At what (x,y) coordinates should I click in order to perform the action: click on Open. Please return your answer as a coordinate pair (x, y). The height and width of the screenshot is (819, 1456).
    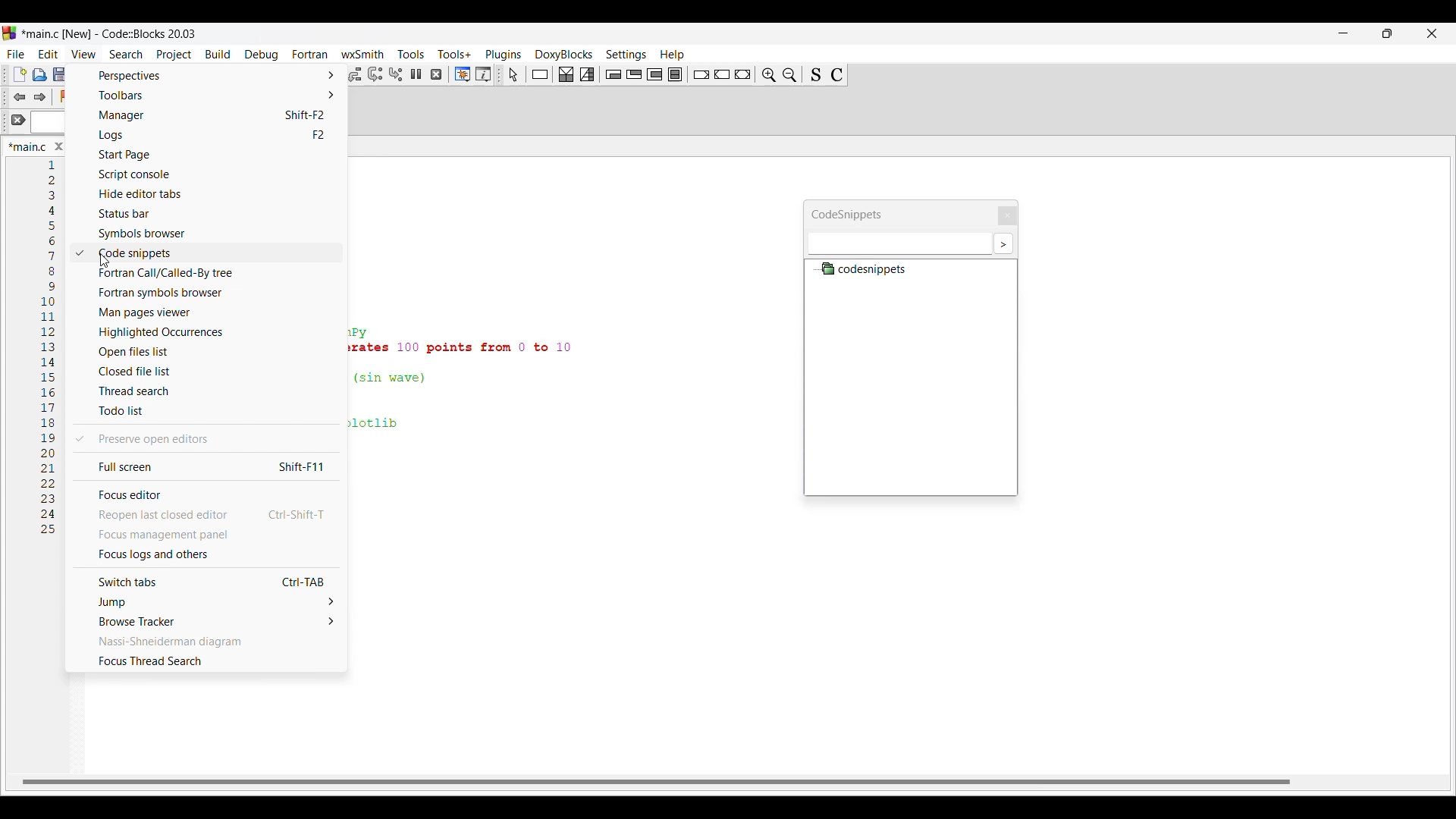
    Looking at the image, I should click on (39, 75).